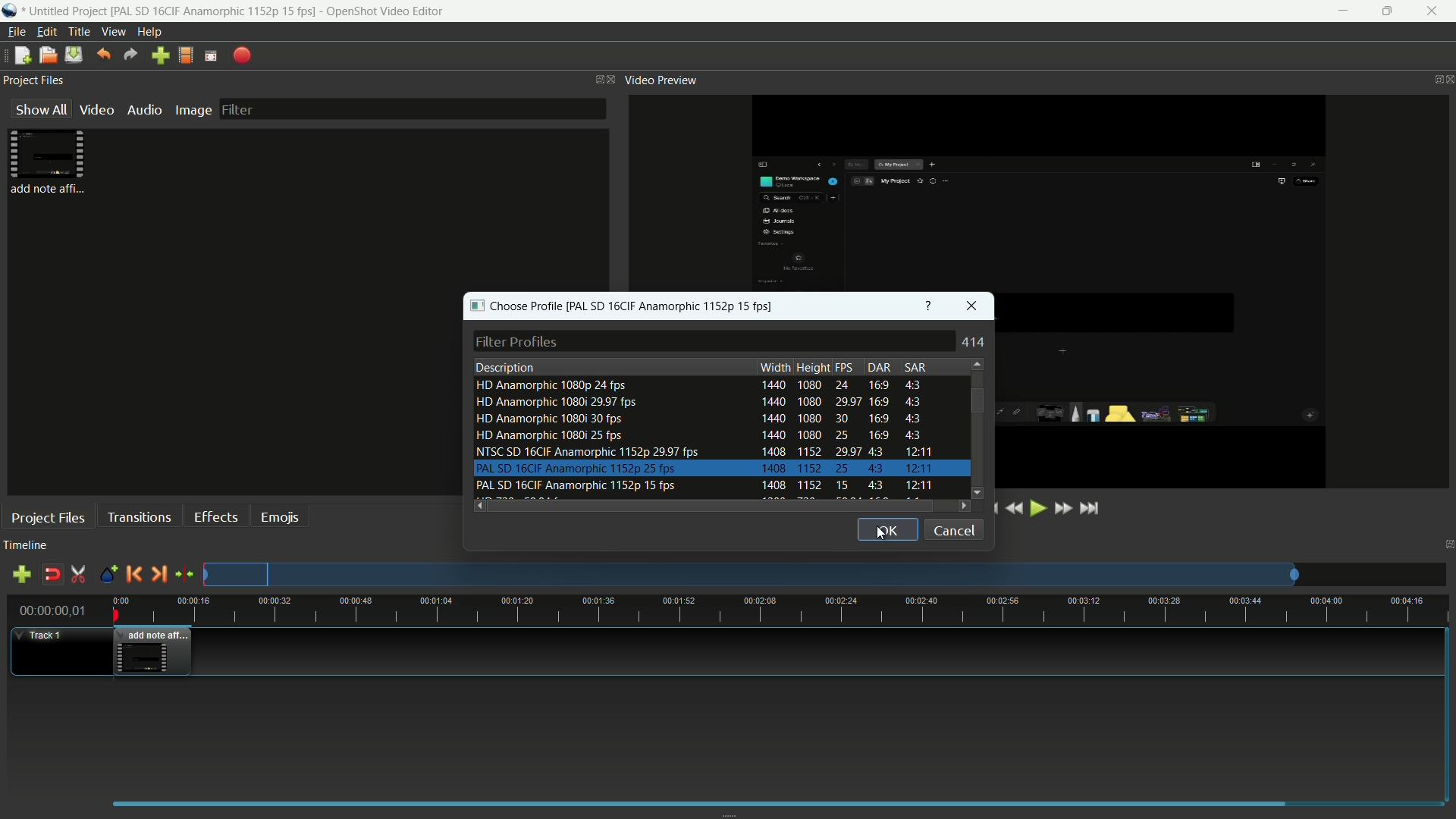 Image resolution: width=1456 pixels, height=819 pixels. I want to click on profile-6, so click(704, 468).